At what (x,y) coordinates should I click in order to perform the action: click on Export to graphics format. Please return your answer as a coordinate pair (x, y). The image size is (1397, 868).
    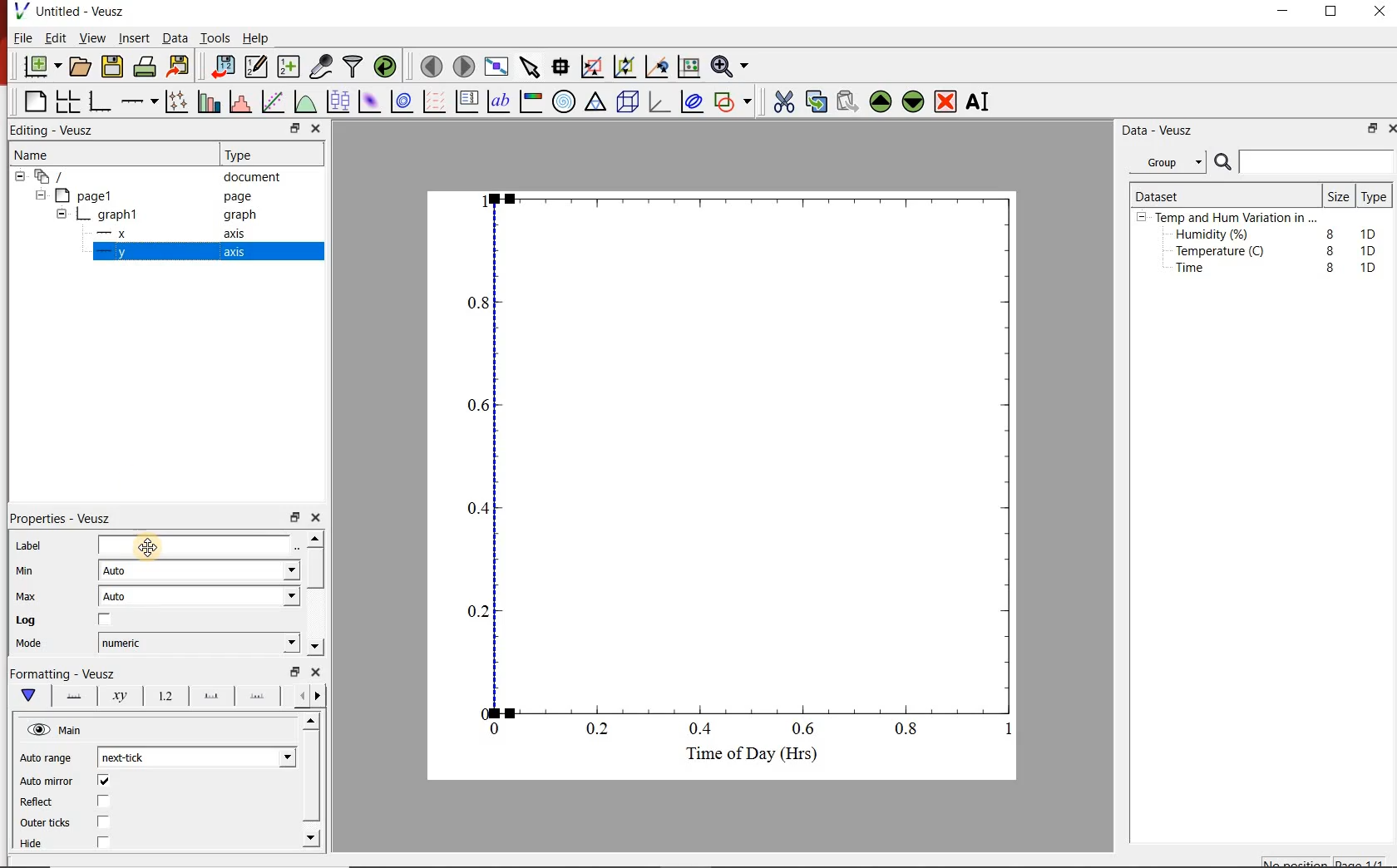
    Looking at the image, I should click on (180, 66).